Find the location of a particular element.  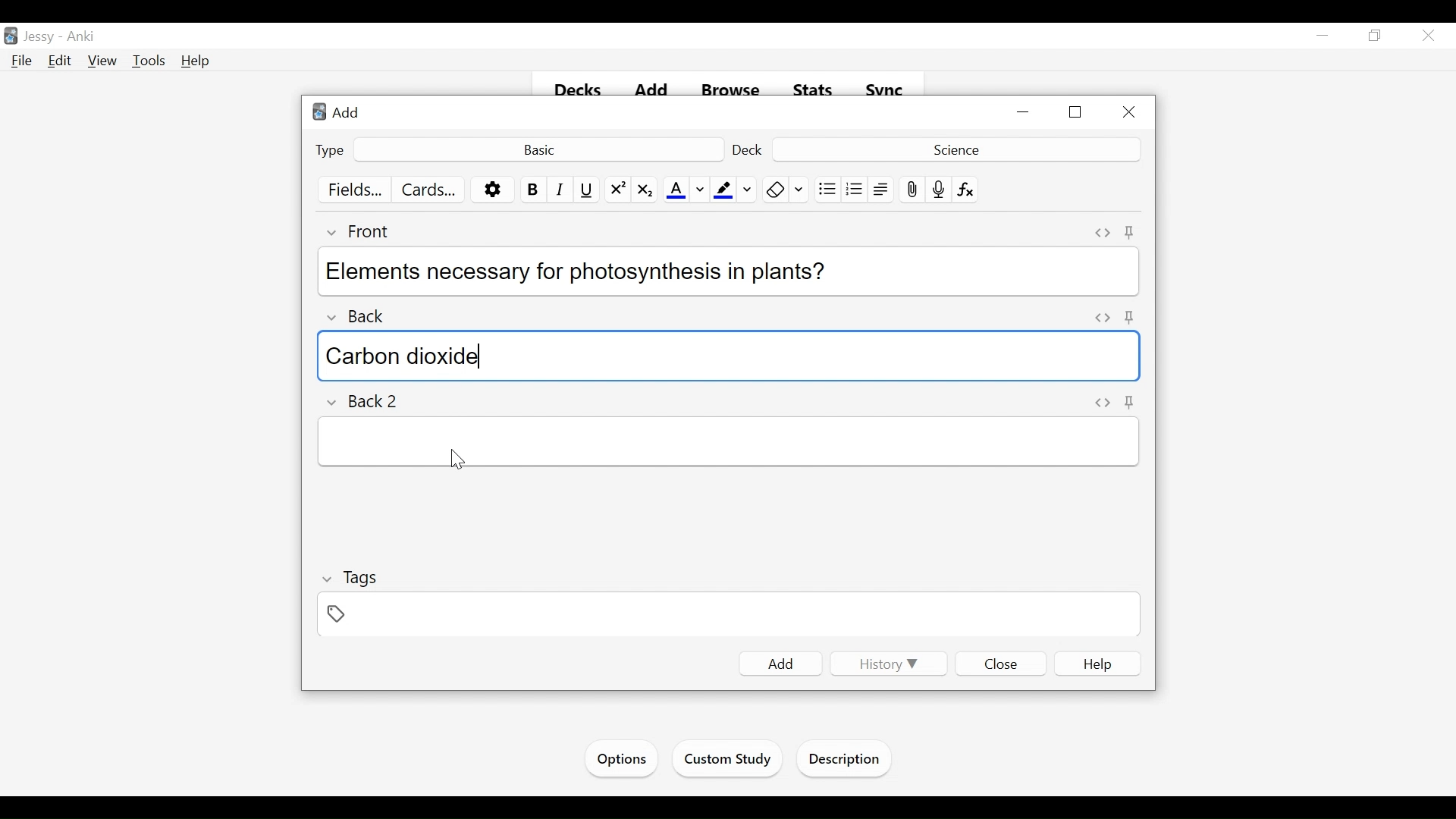

Type is located at coordinates (331, 149).